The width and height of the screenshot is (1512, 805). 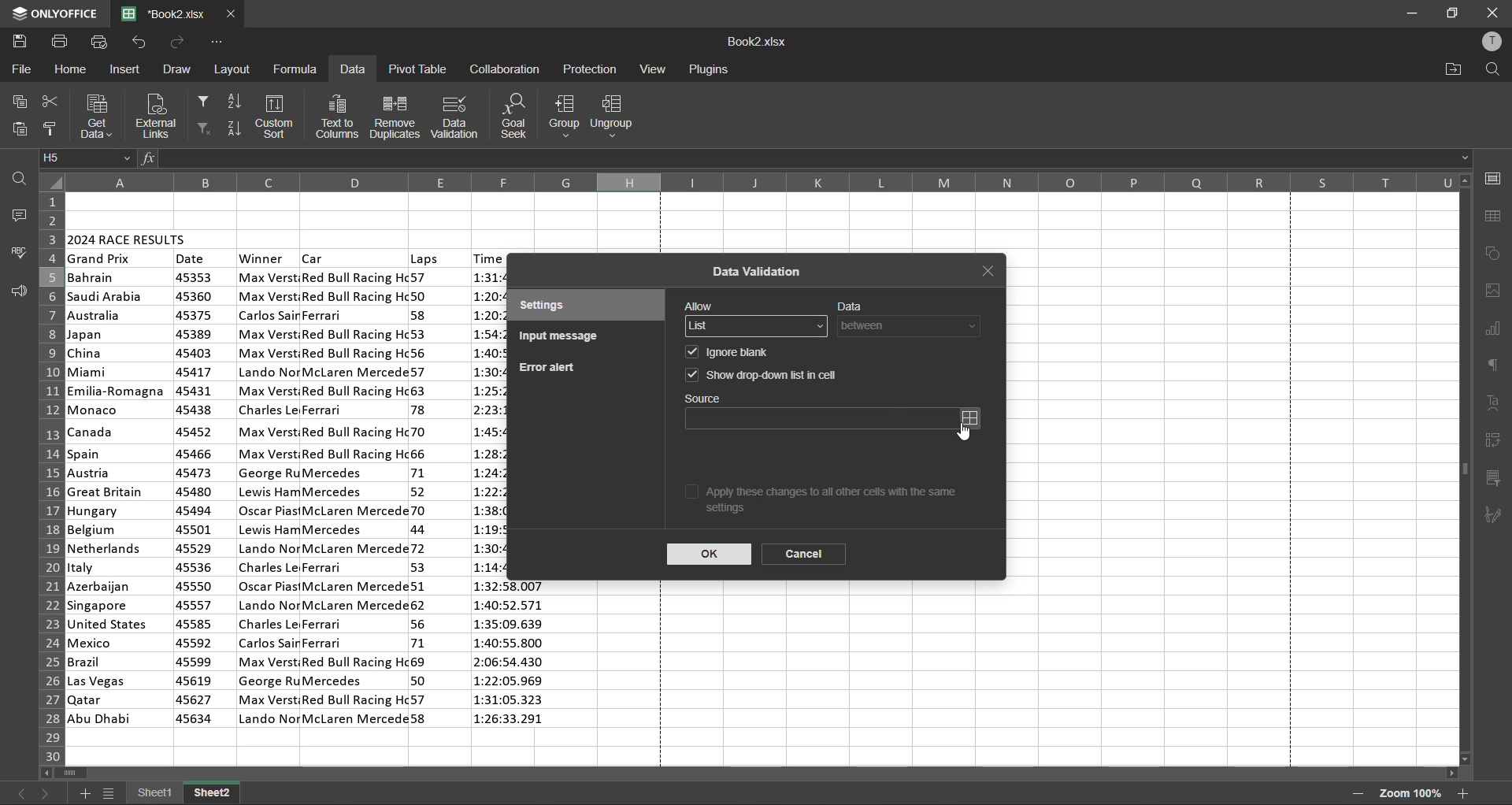 What do you see at coordinates (46, 795) in the screenshot?
I see `next` at bounding box center [46, 795].